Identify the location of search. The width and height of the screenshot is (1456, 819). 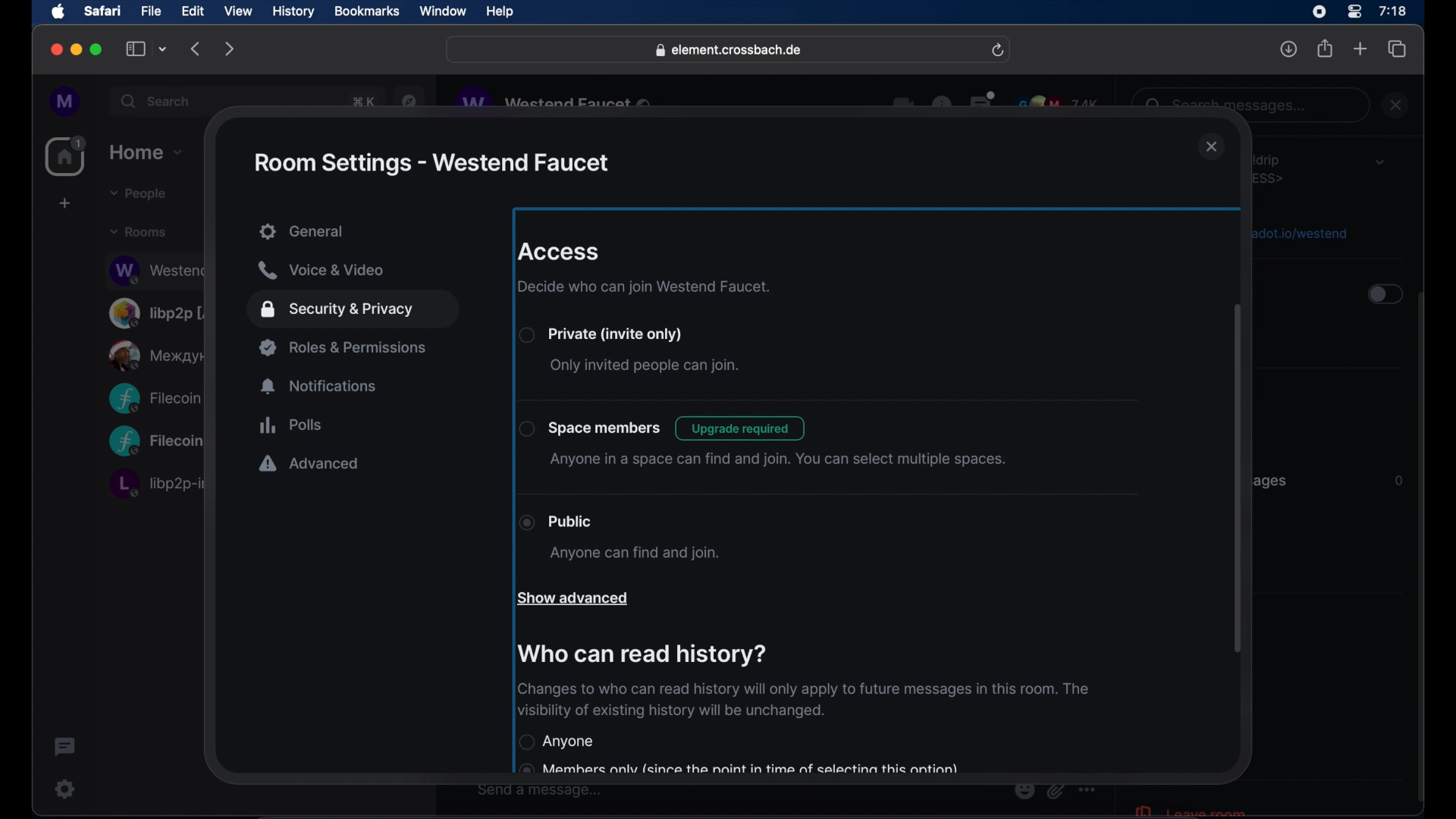
(157, 101).